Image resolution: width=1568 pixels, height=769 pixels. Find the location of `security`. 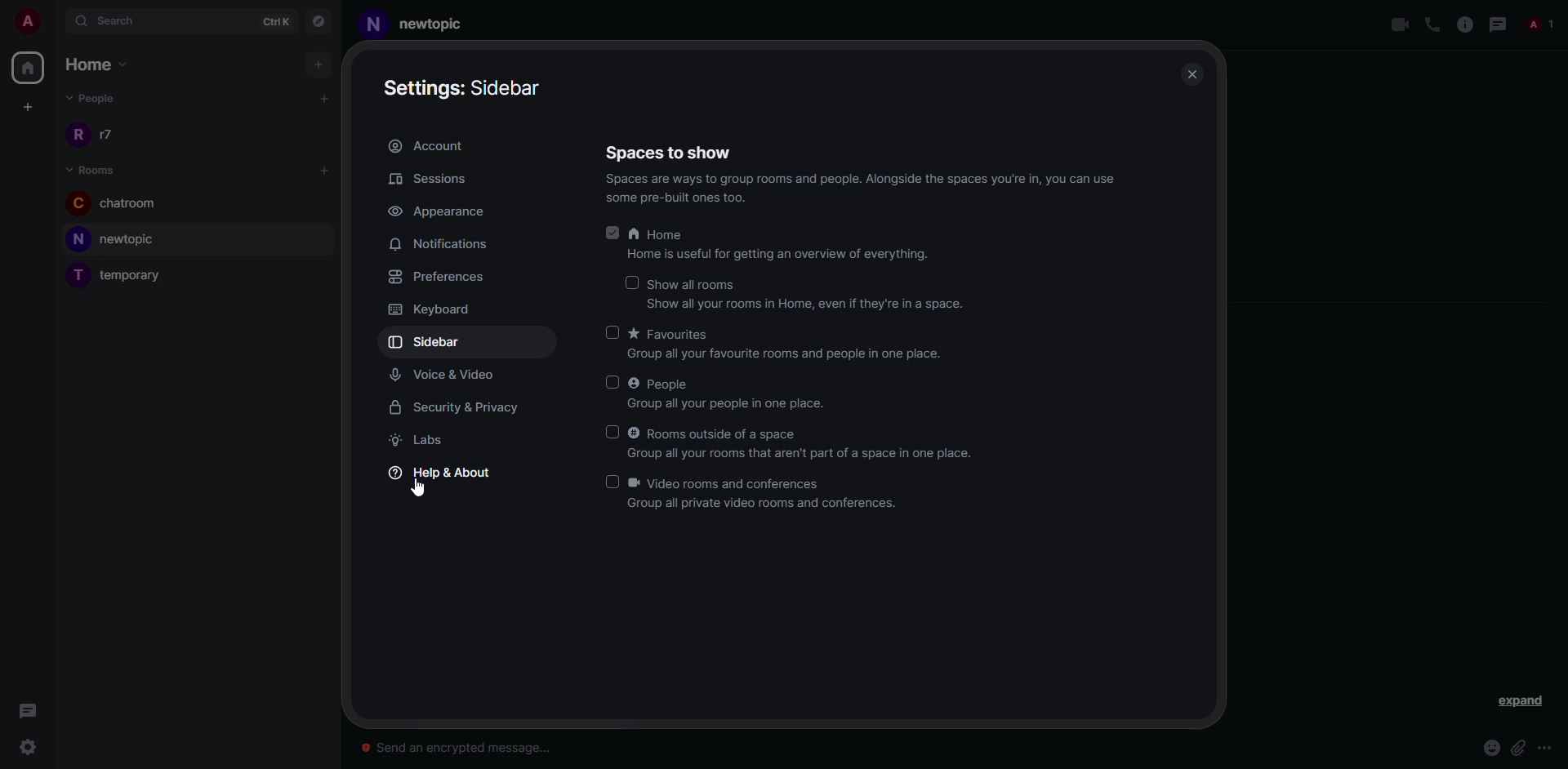

security is located at coordinates (457, 408).